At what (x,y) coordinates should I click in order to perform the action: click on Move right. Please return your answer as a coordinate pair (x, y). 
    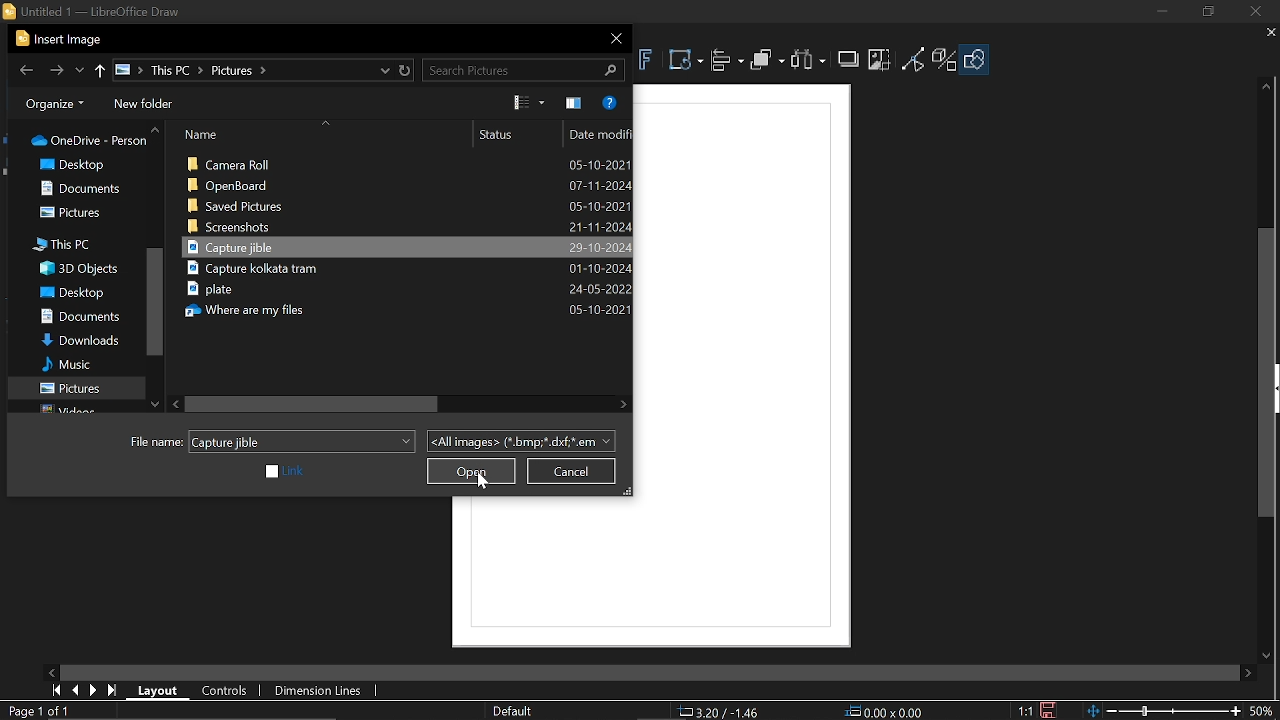
    Looking at the image, I should click on (627, 404).